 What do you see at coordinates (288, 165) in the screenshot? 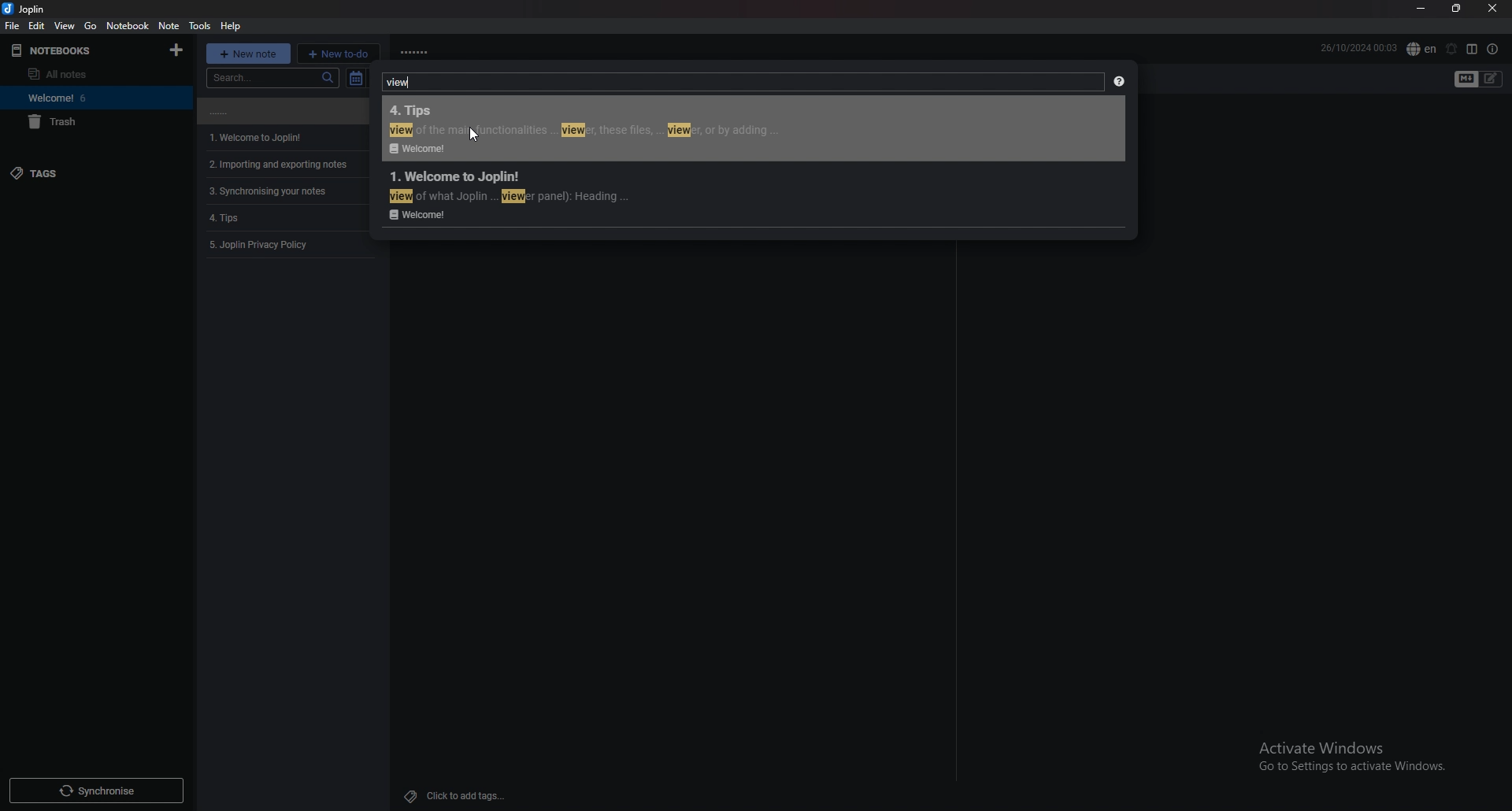
I see `note 3` at bounding box center [288, 165].